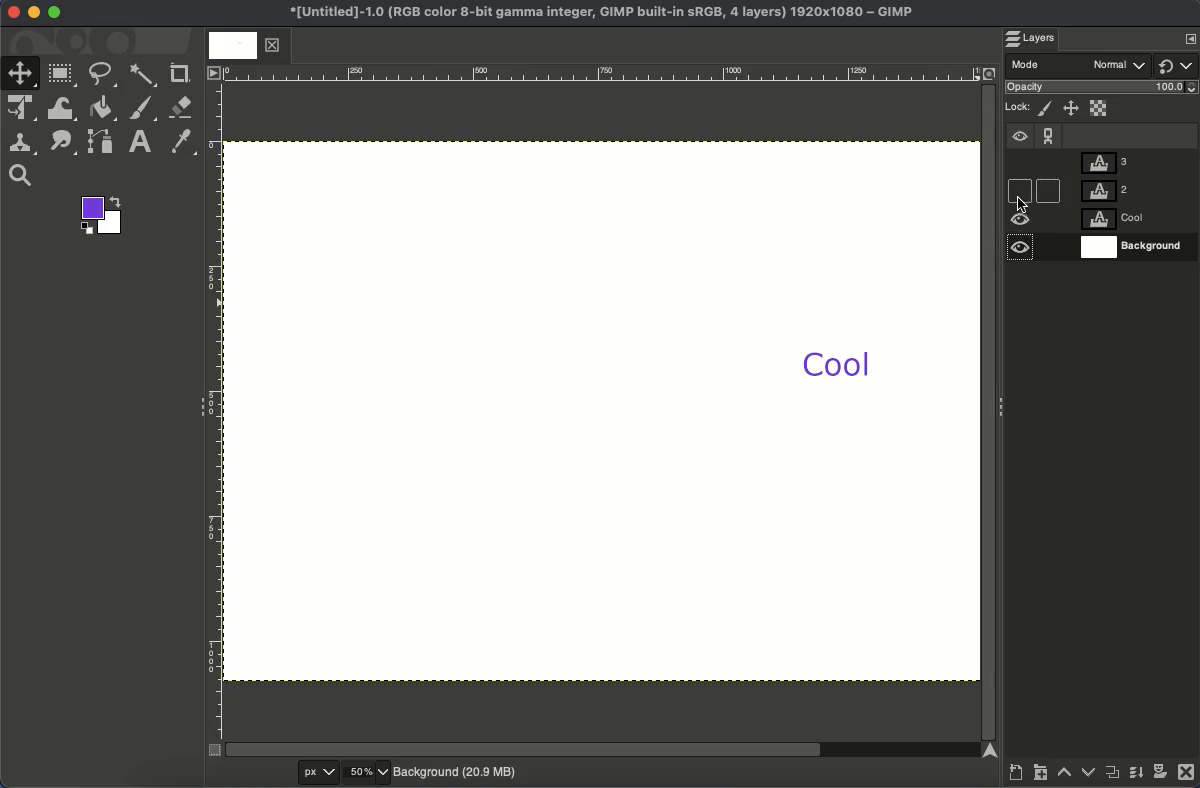 This screenshot has width=1200, height=788. I want to click on Raise layer, so click(1065, 777).